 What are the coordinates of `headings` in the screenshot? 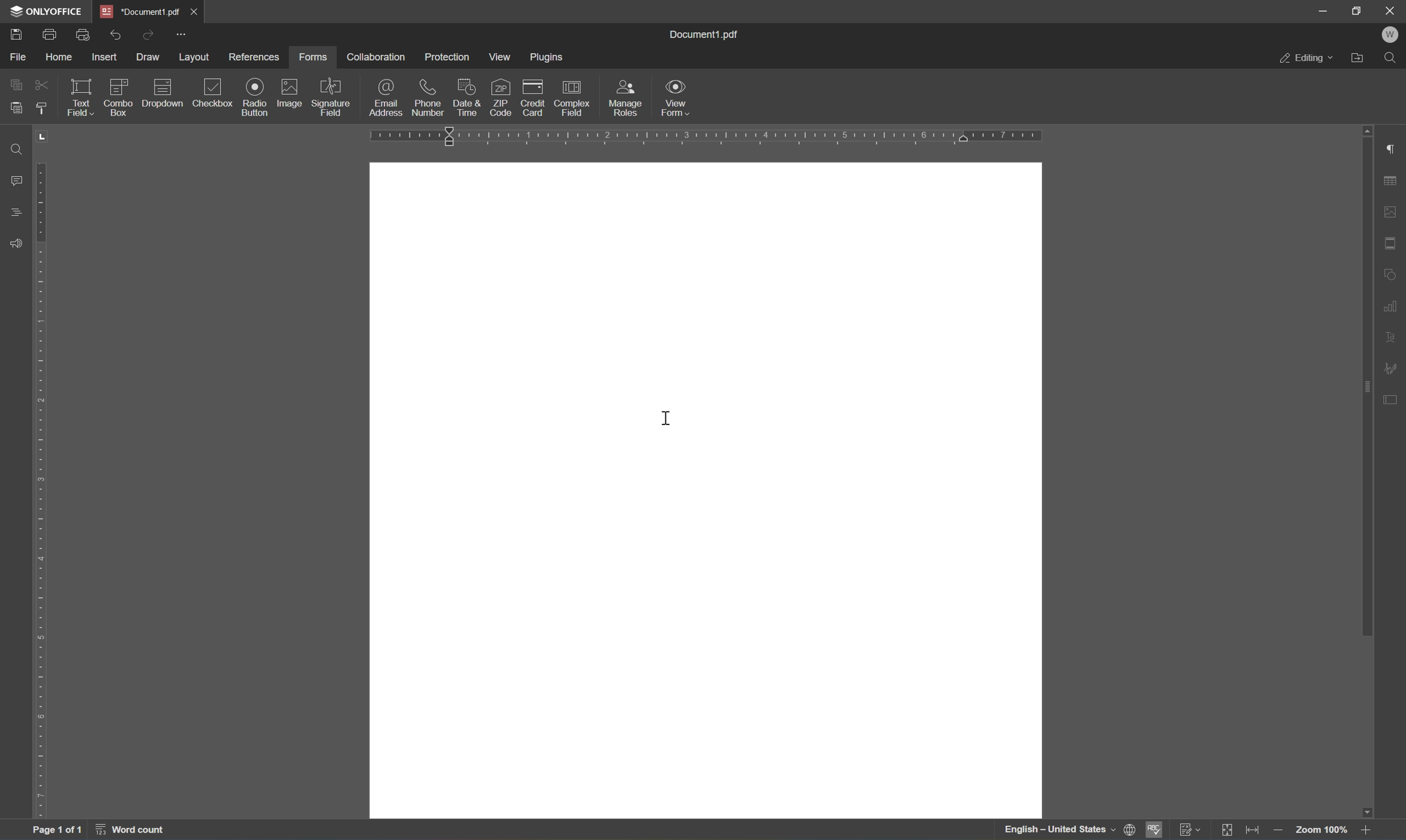 It's located at (16, 212).